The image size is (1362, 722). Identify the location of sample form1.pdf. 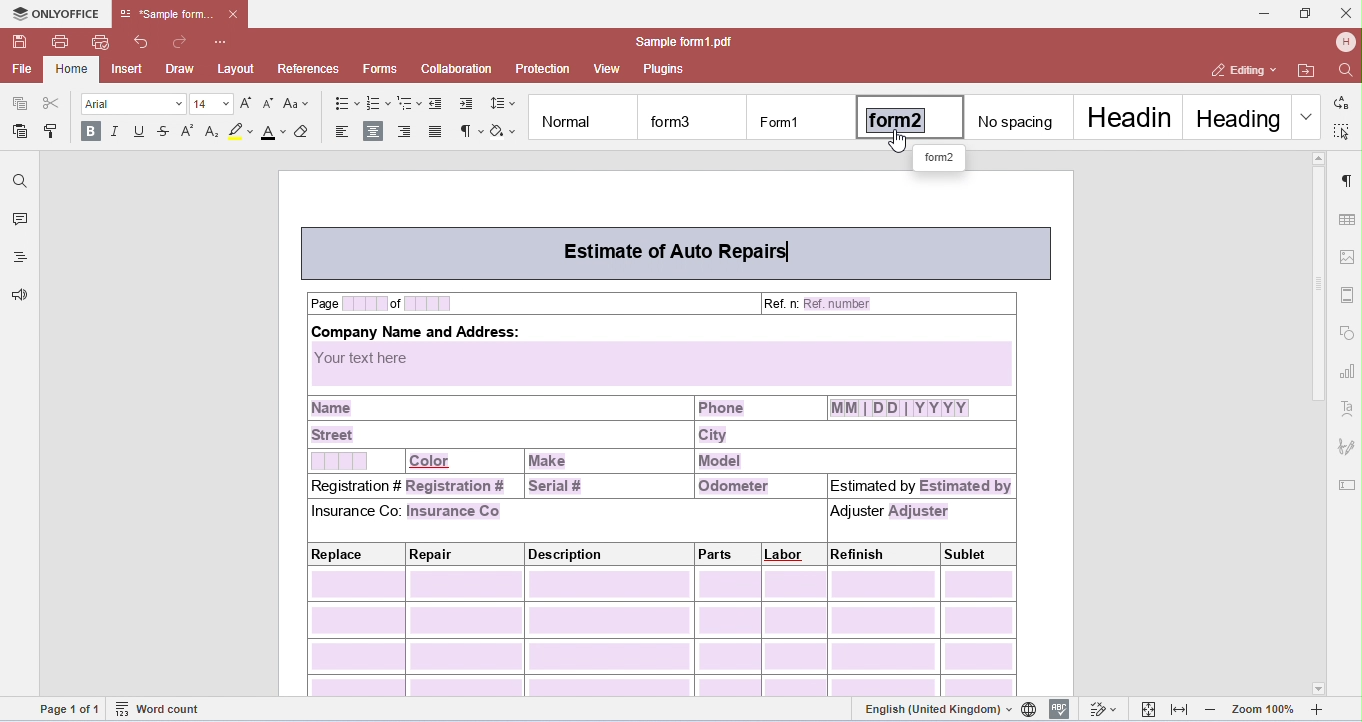
(678, 42).